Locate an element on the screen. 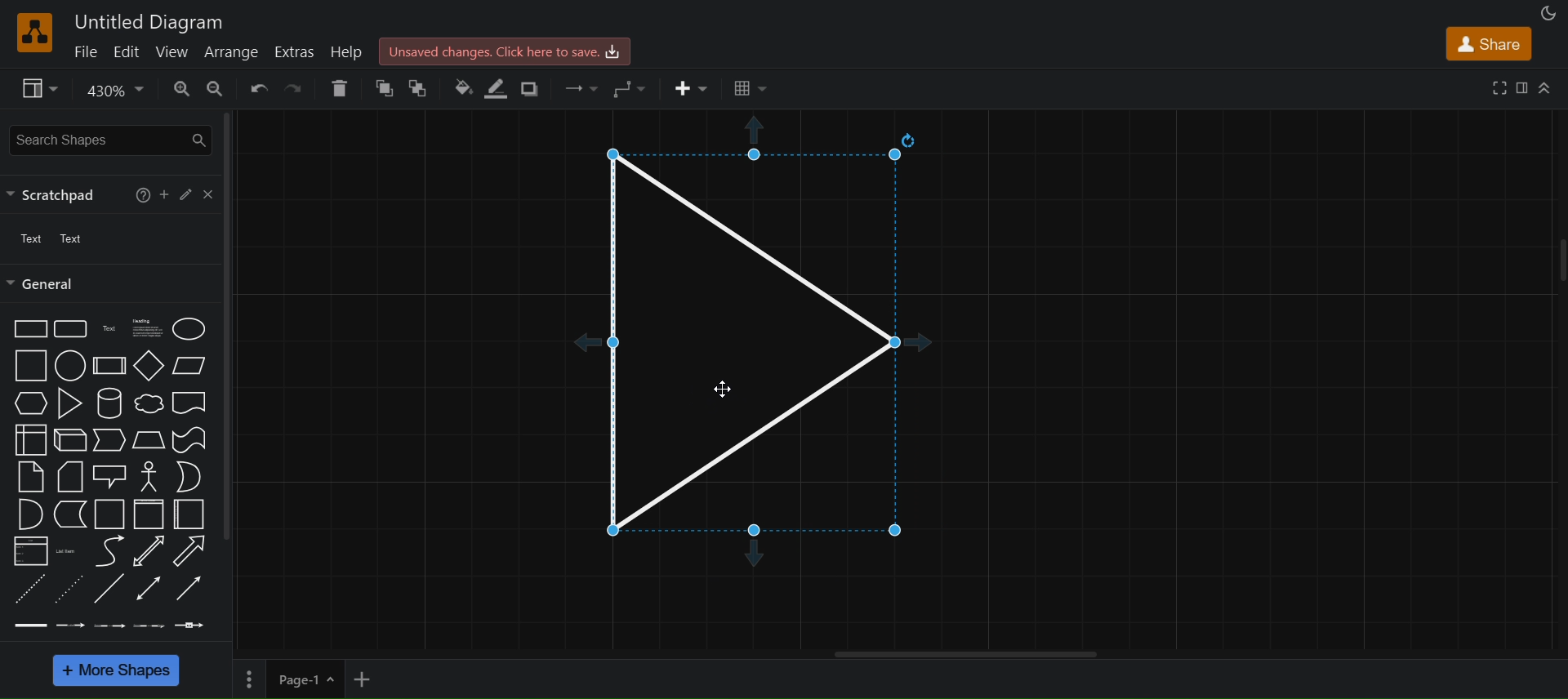 The height and width of the screenshot is (699, 1568). close is located at coordinates (207, 193).